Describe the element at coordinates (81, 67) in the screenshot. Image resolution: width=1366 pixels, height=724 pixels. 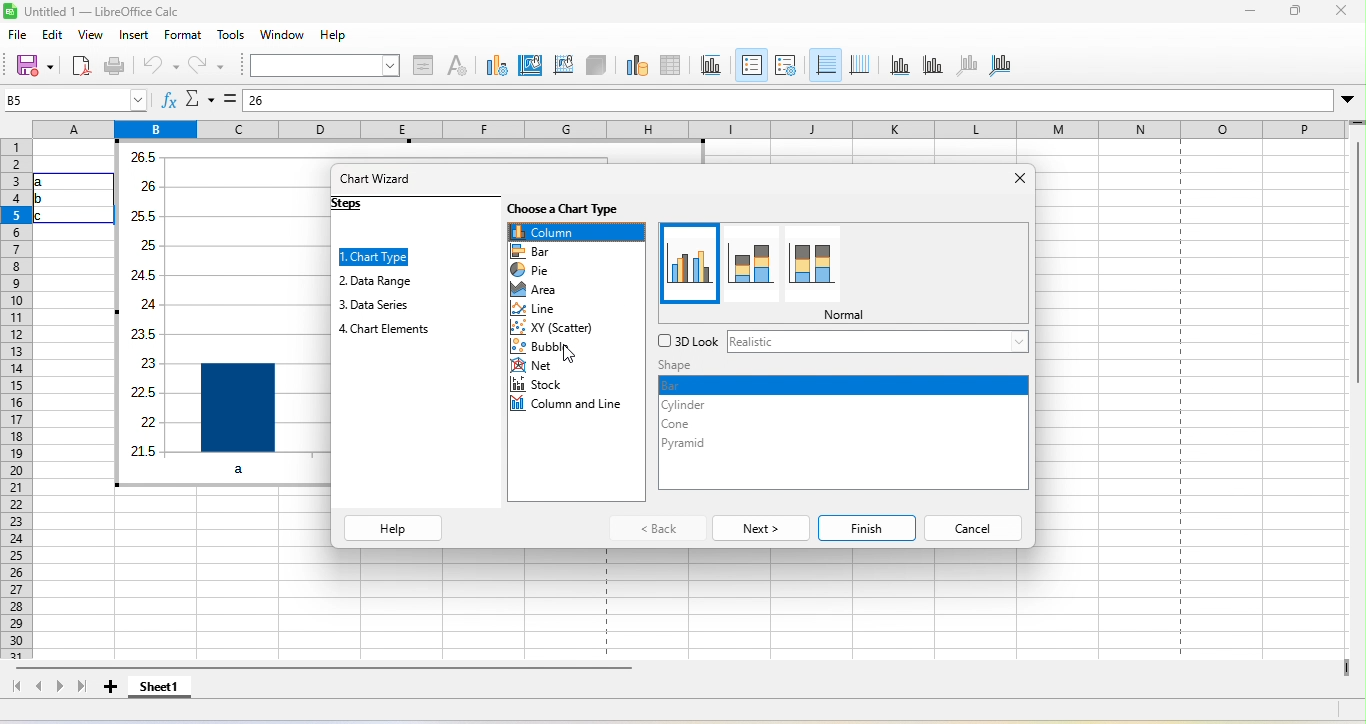
I see `export directly as pf` at that location.